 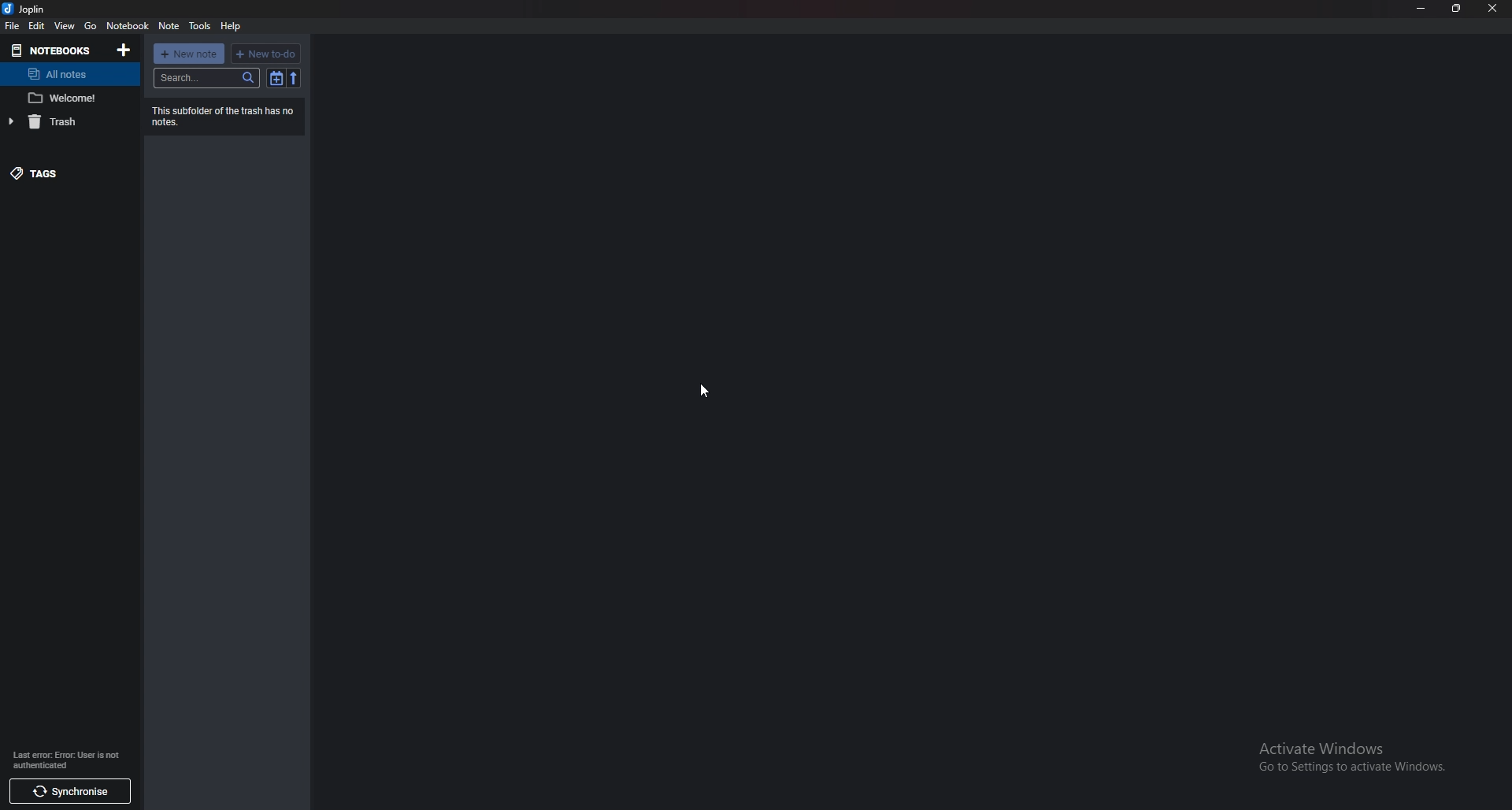 What do you see at coordinates (38, 25) in the screenshot?
I see `edit` at bounding box center [38, 25].